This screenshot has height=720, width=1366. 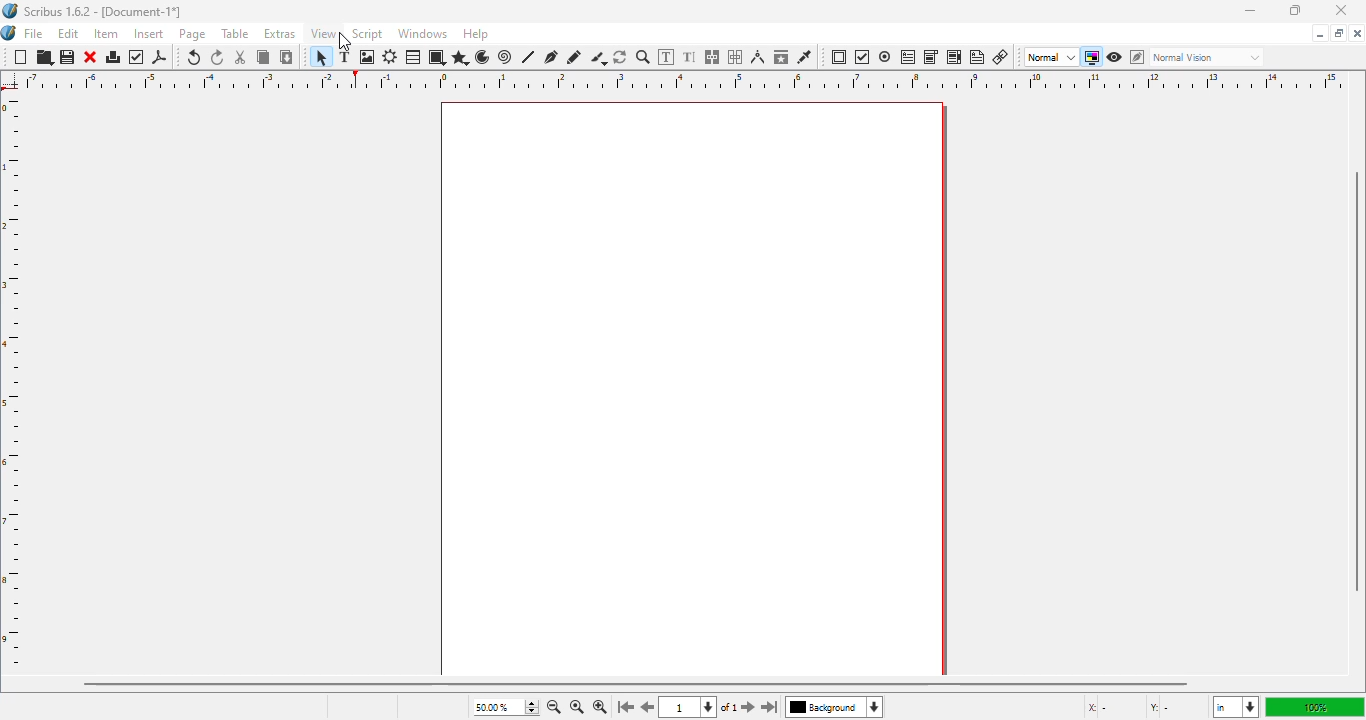 I want to click on edit contents in frame, so click(x=667, y=56).